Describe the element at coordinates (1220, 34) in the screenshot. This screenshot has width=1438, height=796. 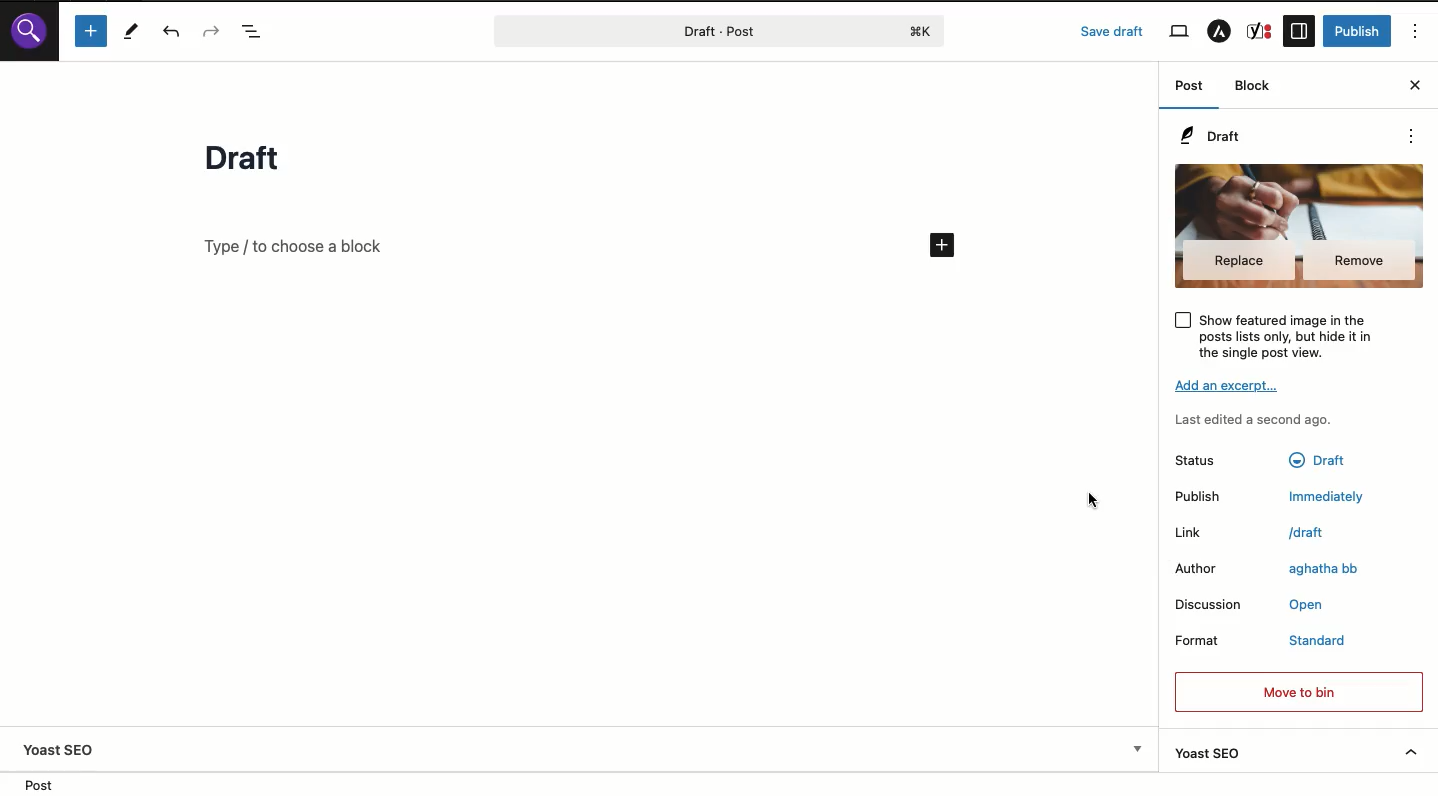
I see `Astra` at that location.